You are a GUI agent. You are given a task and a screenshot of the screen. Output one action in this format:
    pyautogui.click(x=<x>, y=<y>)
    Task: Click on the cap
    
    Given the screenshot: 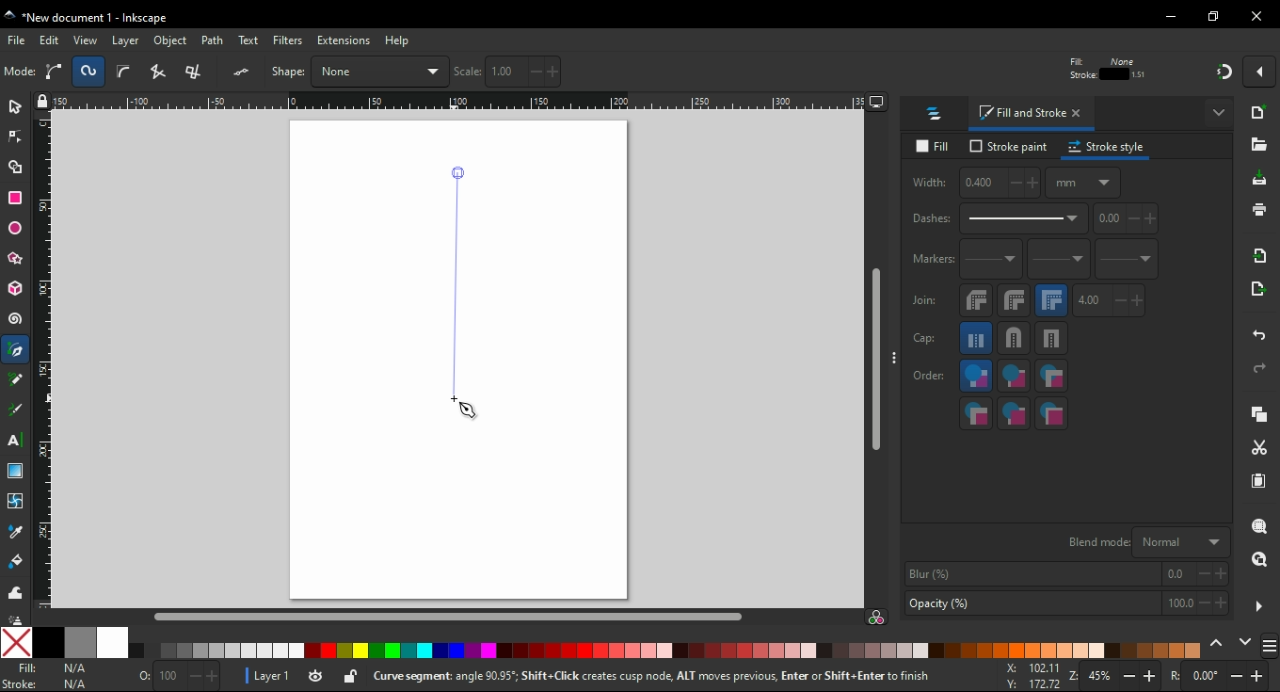 What is the action you would take?
    pyautogui.click(x=925, y=339)
    